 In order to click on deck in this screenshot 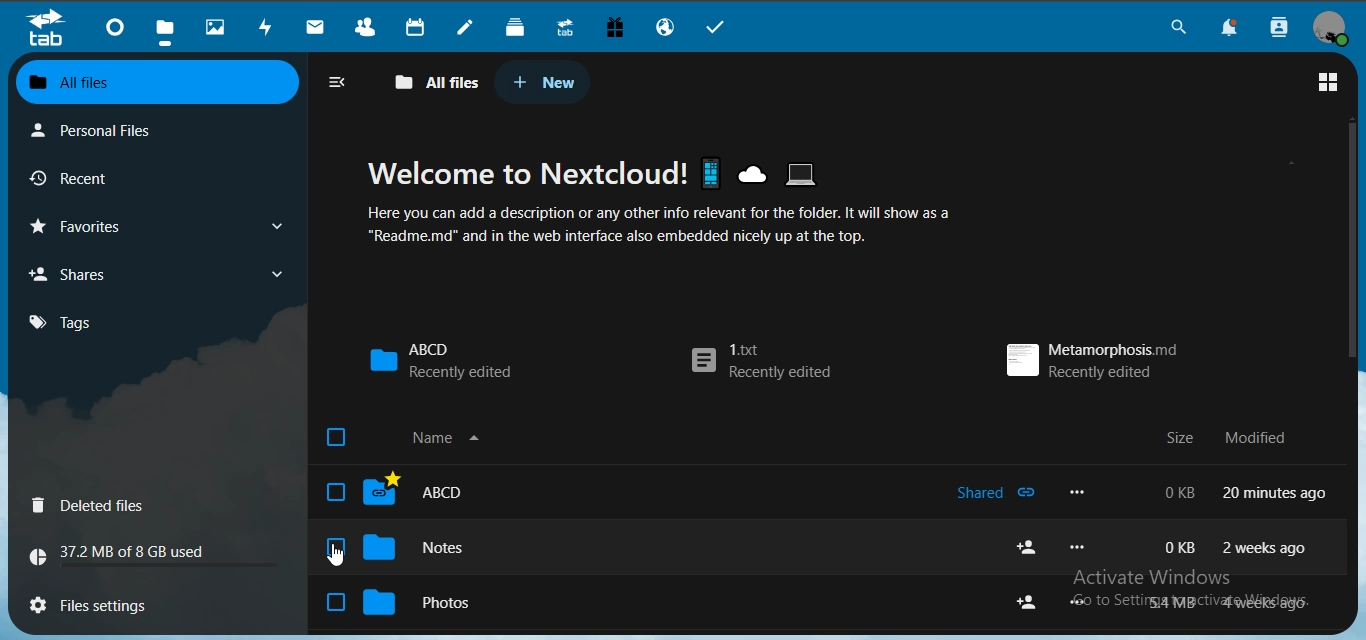, I will do `click(519, 27)`.